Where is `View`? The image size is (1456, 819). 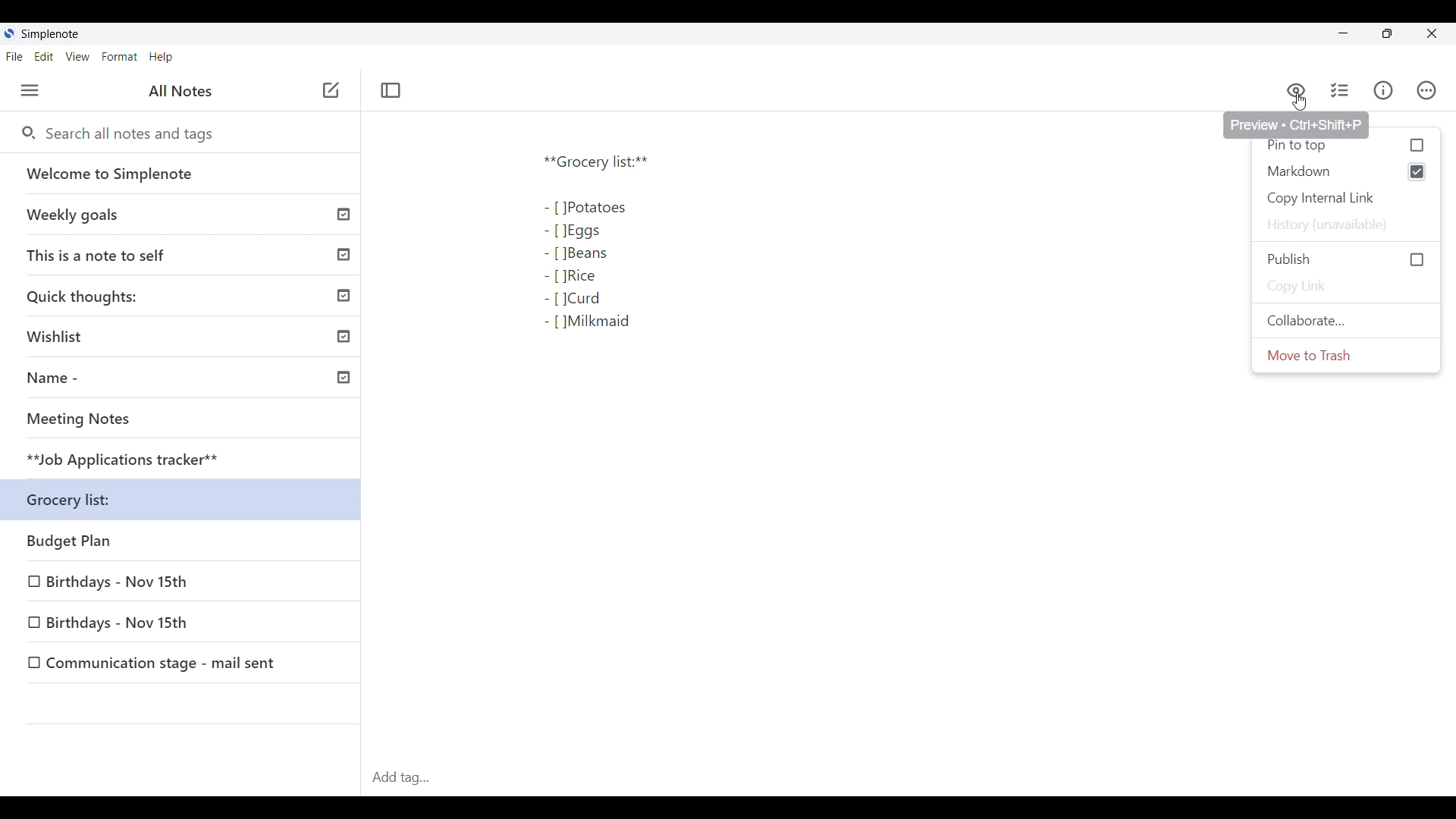
View is located at coordinates (78, 57).